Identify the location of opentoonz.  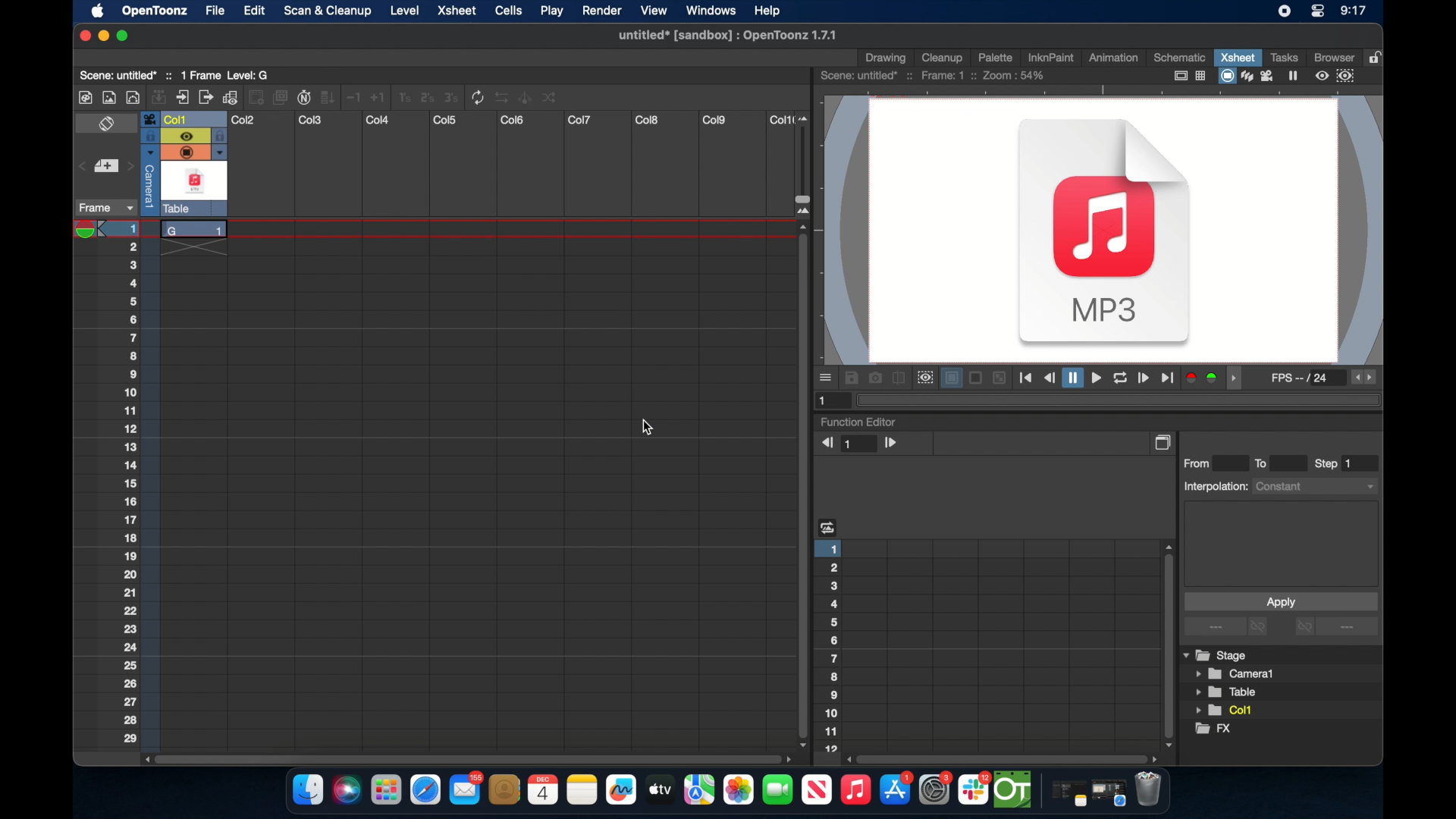
(1014, 790).